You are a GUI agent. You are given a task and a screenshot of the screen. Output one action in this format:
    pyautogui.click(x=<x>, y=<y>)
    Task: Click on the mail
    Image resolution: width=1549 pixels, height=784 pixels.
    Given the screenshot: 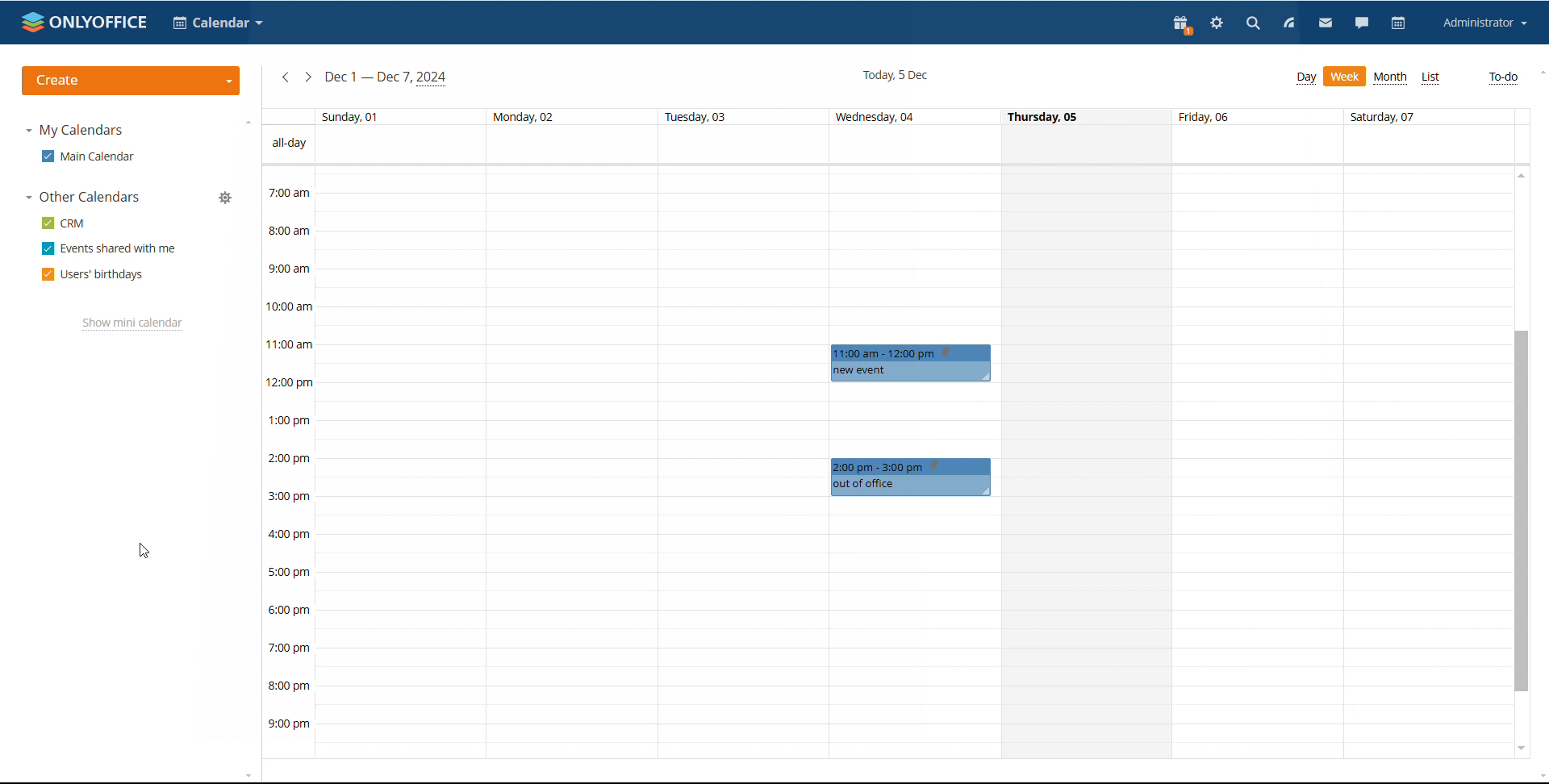 What is the action you would take?
    pyautogui.click(x=1324, y=25)
    